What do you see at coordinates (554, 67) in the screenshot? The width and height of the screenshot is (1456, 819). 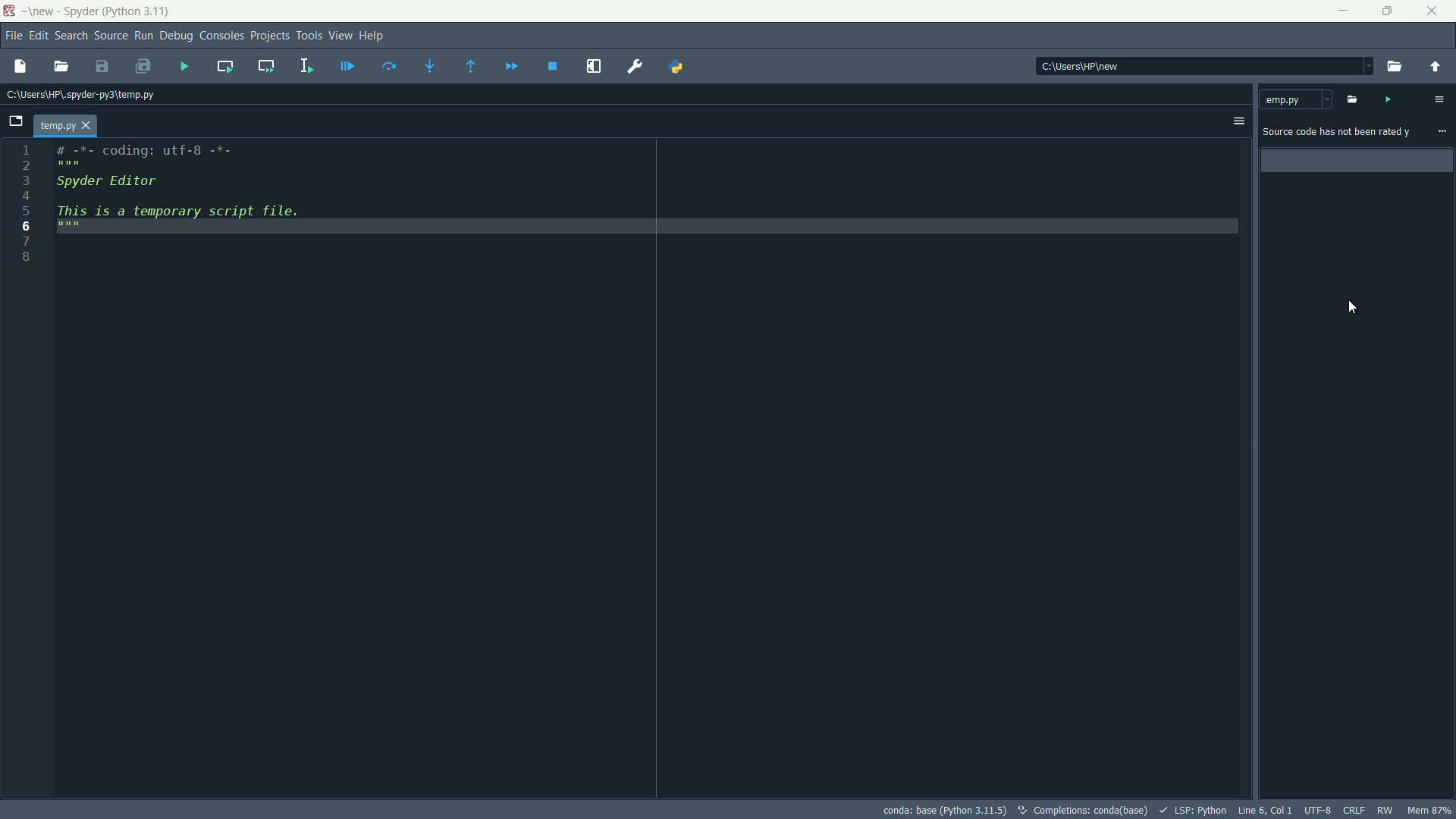 I see `stop debugging` at bounding box center [554, 67].